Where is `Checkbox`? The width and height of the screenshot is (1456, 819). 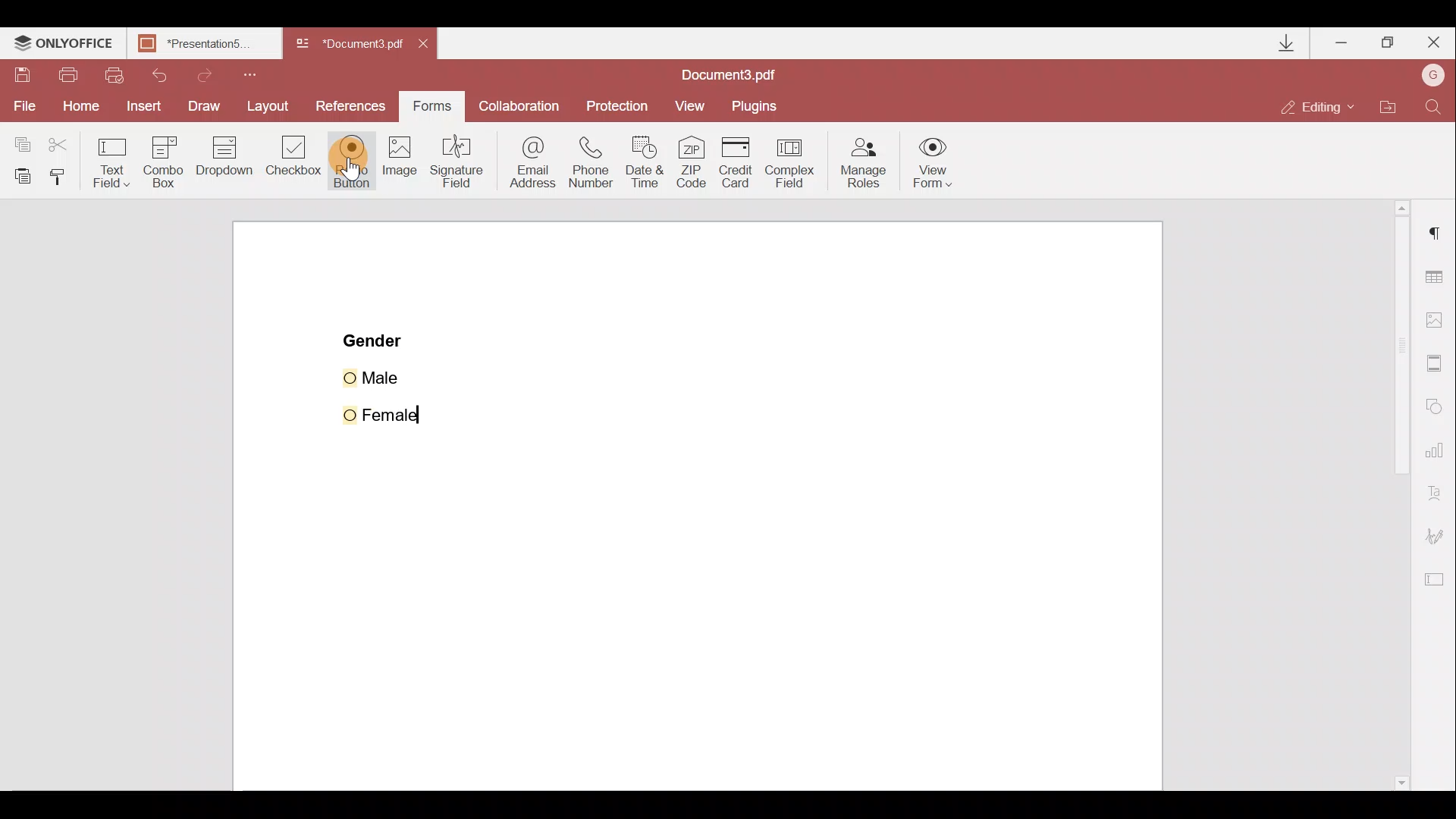
Checkbox is located at coordinates (295, 160).